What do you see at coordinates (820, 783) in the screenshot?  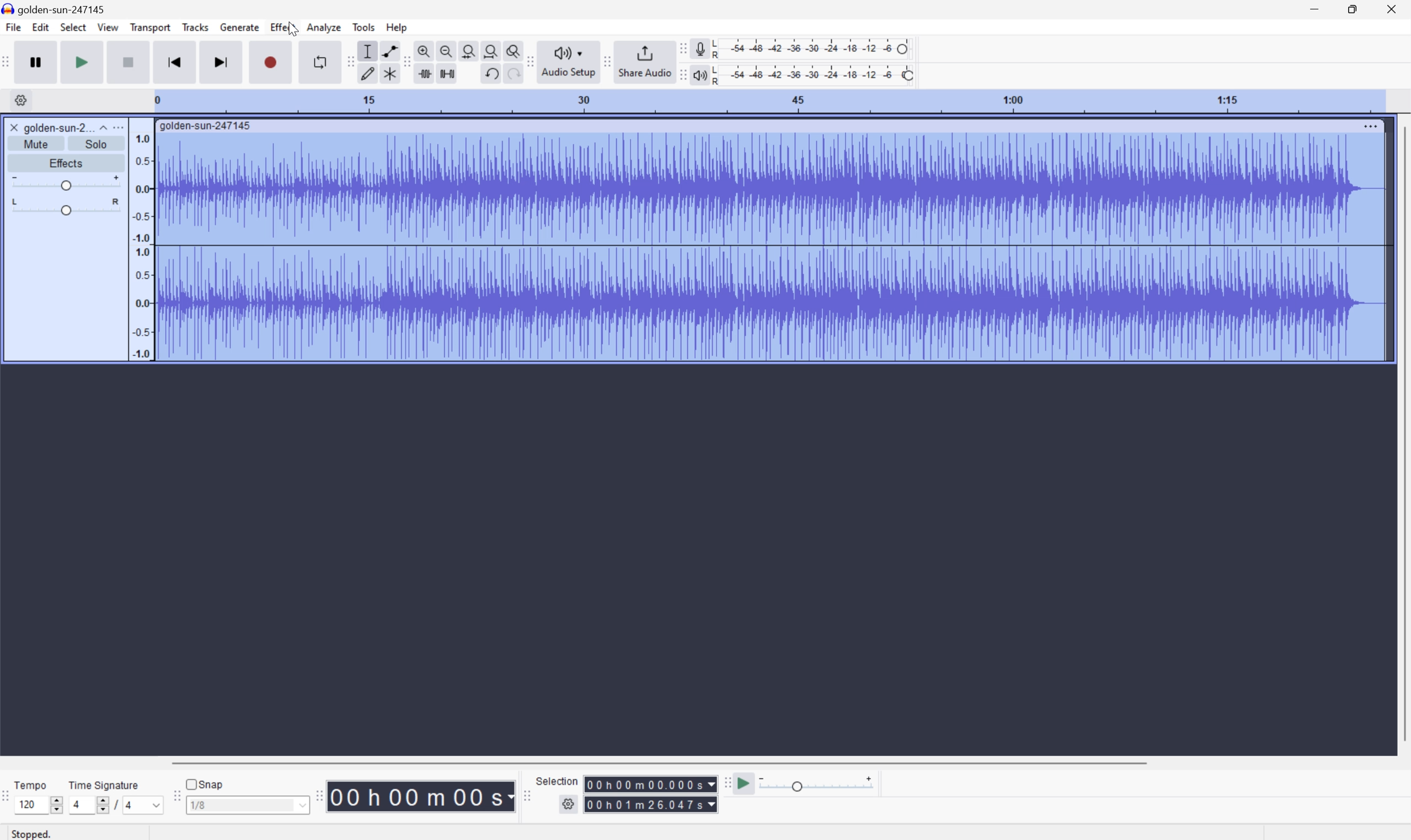 I see `Play back speed` at bounding box center [820, 783].